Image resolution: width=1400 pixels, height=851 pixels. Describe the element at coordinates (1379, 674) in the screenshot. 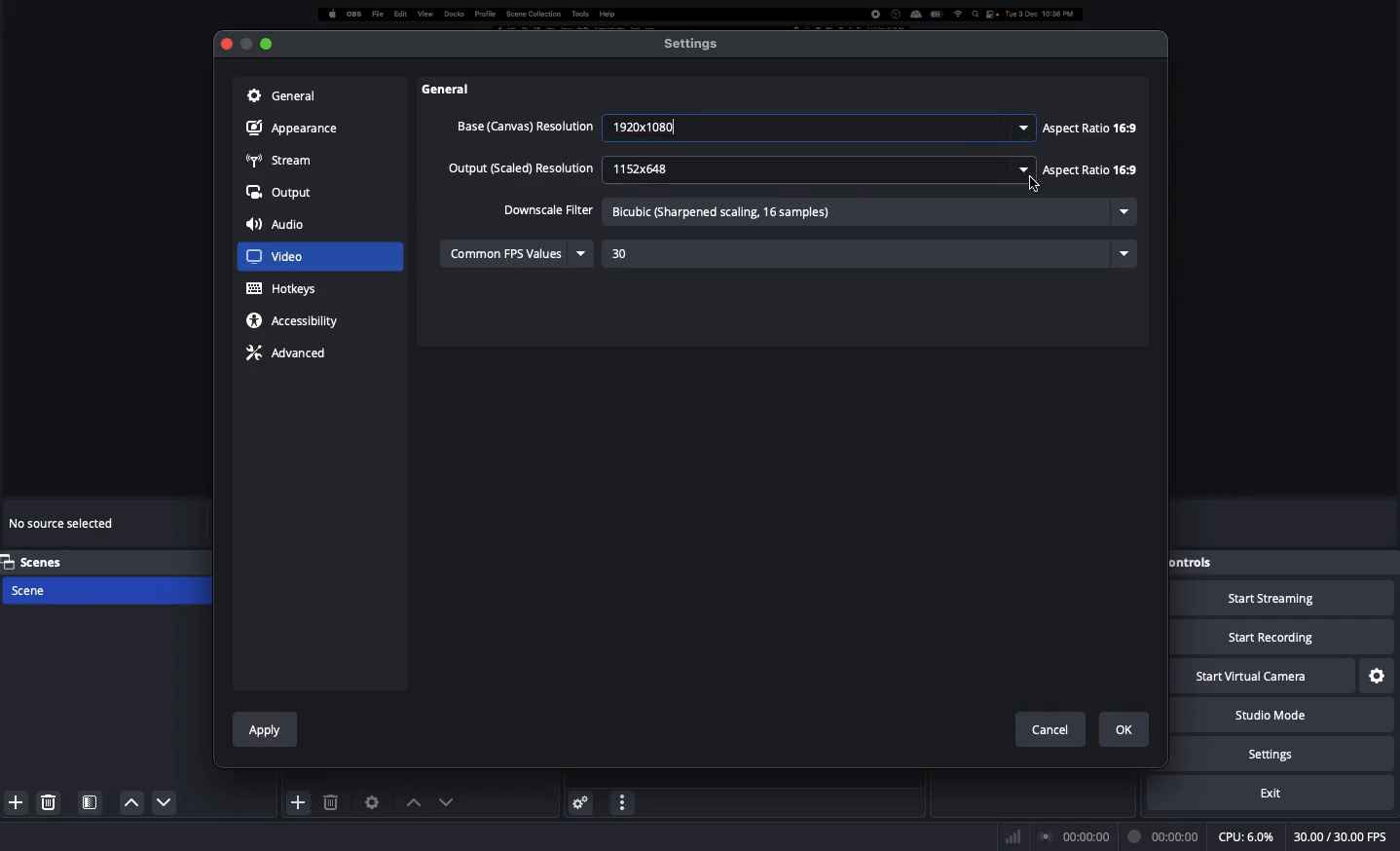

I see `Settings` at that location.